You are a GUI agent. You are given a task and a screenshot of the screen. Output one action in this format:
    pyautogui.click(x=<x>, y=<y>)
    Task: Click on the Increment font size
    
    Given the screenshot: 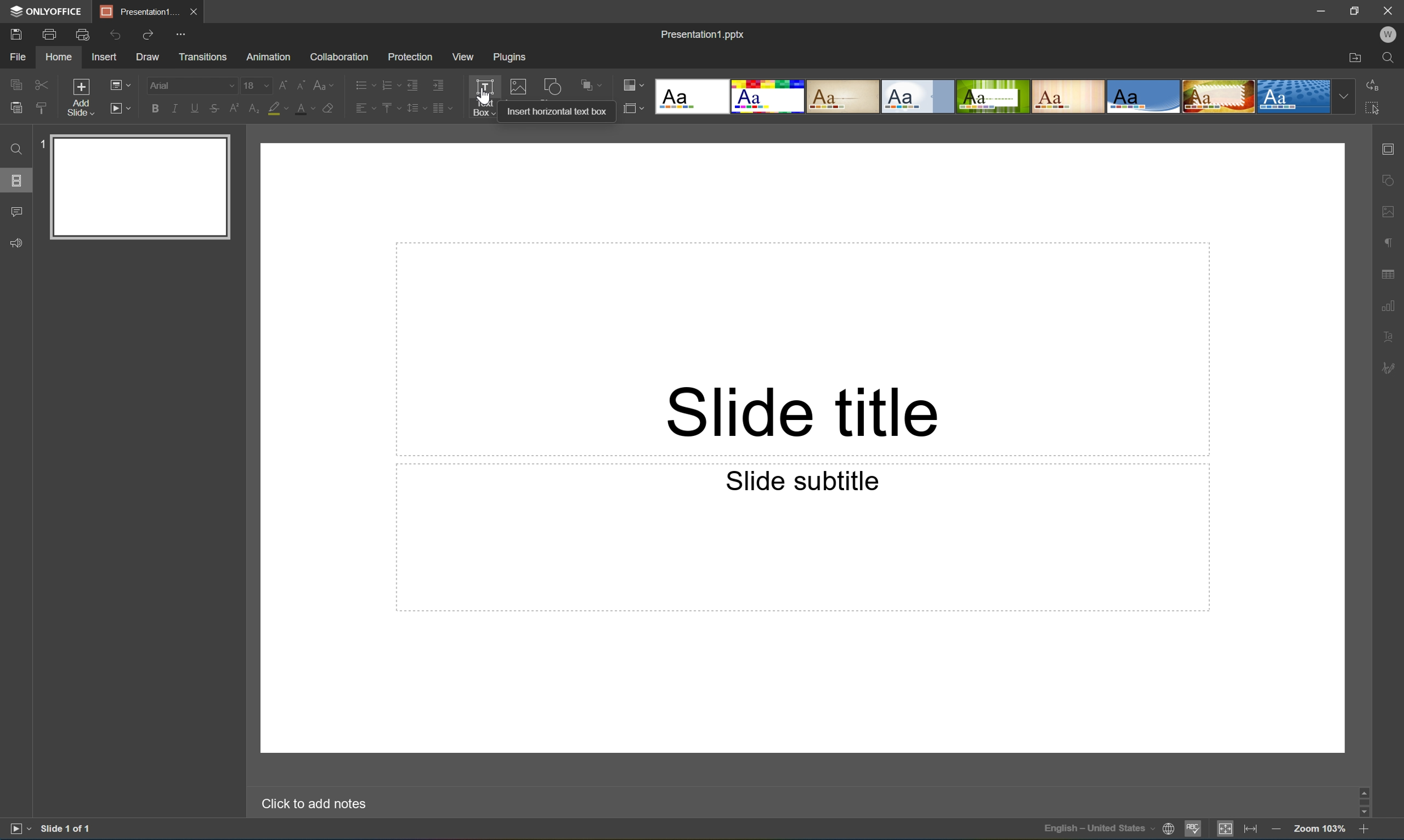 What is the action you would take?
    pyautogui.click(x=280, y=83)
    